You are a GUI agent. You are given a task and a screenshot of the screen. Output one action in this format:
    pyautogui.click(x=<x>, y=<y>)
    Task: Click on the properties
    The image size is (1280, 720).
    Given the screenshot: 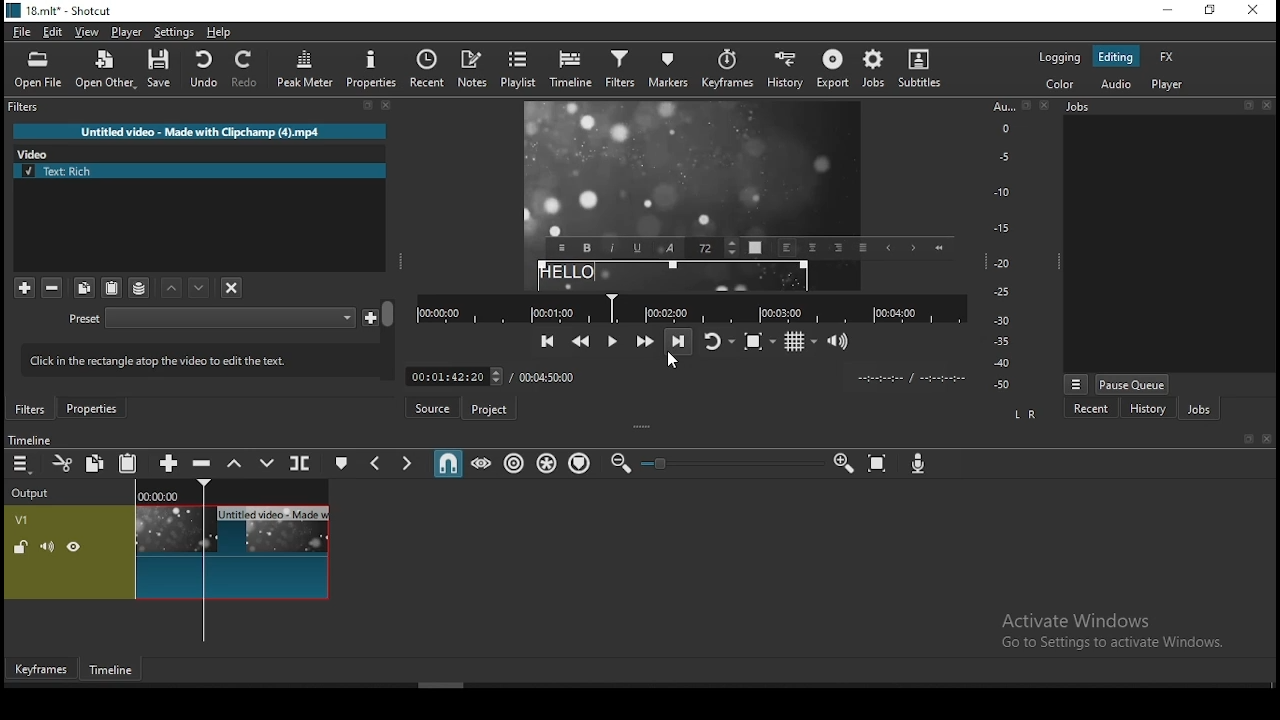 What is the action you would take?
    pyautogui.click(x=91, y=408)
    